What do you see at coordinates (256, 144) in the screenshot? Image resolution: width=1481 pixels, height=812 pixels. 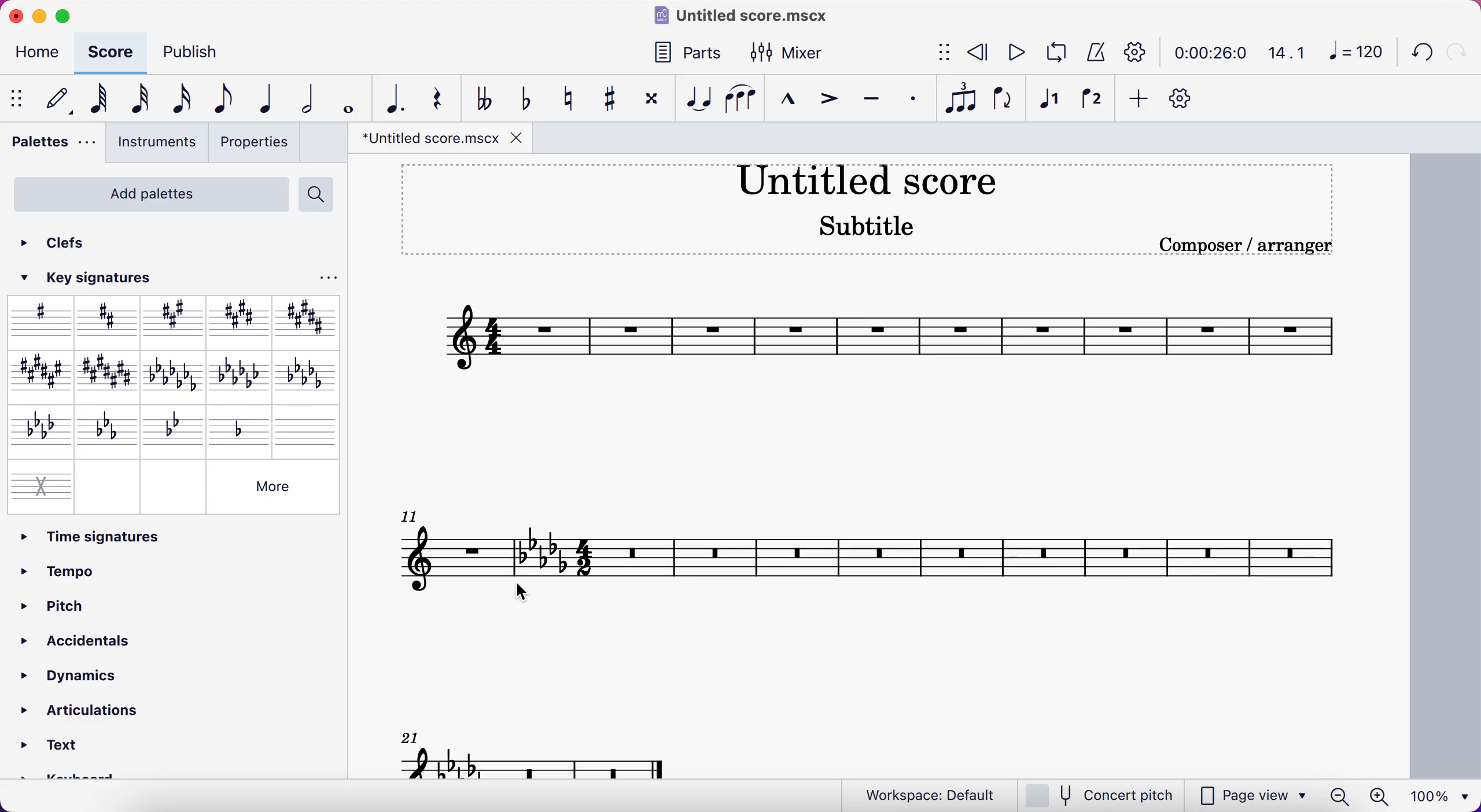 I see `properties` at bounding box center [256, 144].